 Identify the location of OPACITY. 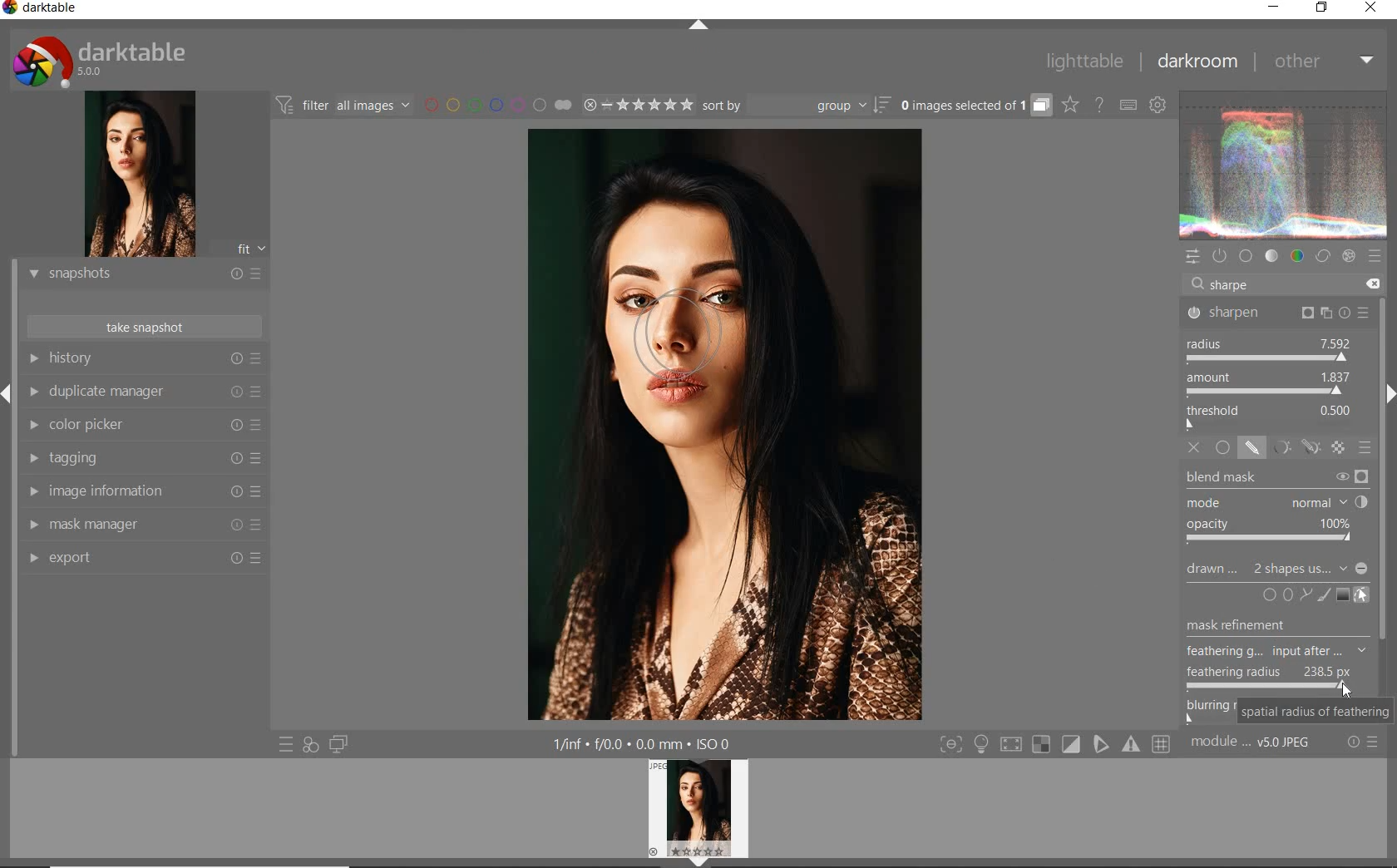
(1275, 531).